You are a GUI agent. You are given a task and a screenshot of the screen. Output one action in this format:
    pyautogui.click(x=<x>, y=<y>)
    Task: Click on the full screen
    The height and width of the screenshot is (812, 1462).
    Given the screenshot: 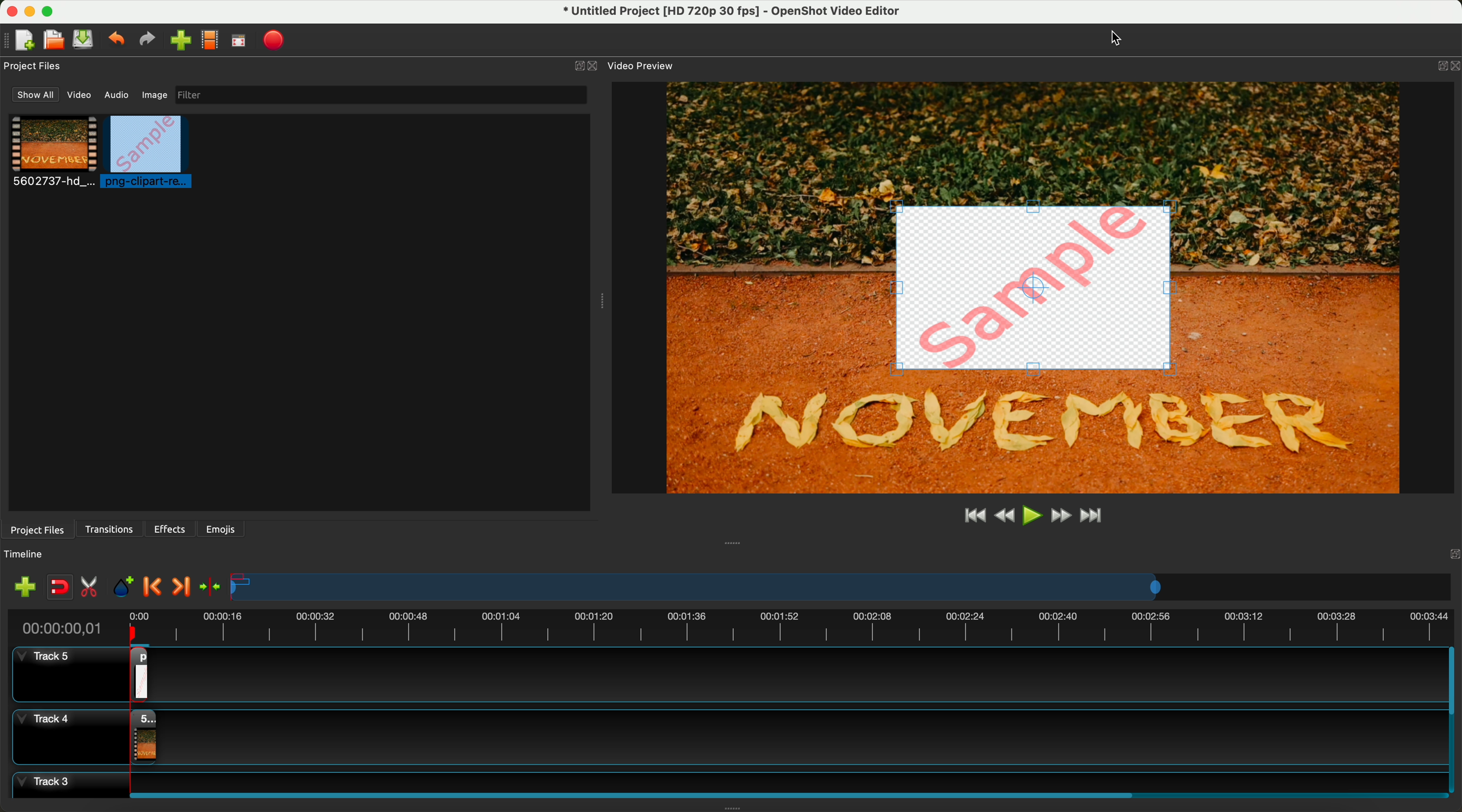 What is the action you would take?
    pyautogui.click(x=240, y=43)
    